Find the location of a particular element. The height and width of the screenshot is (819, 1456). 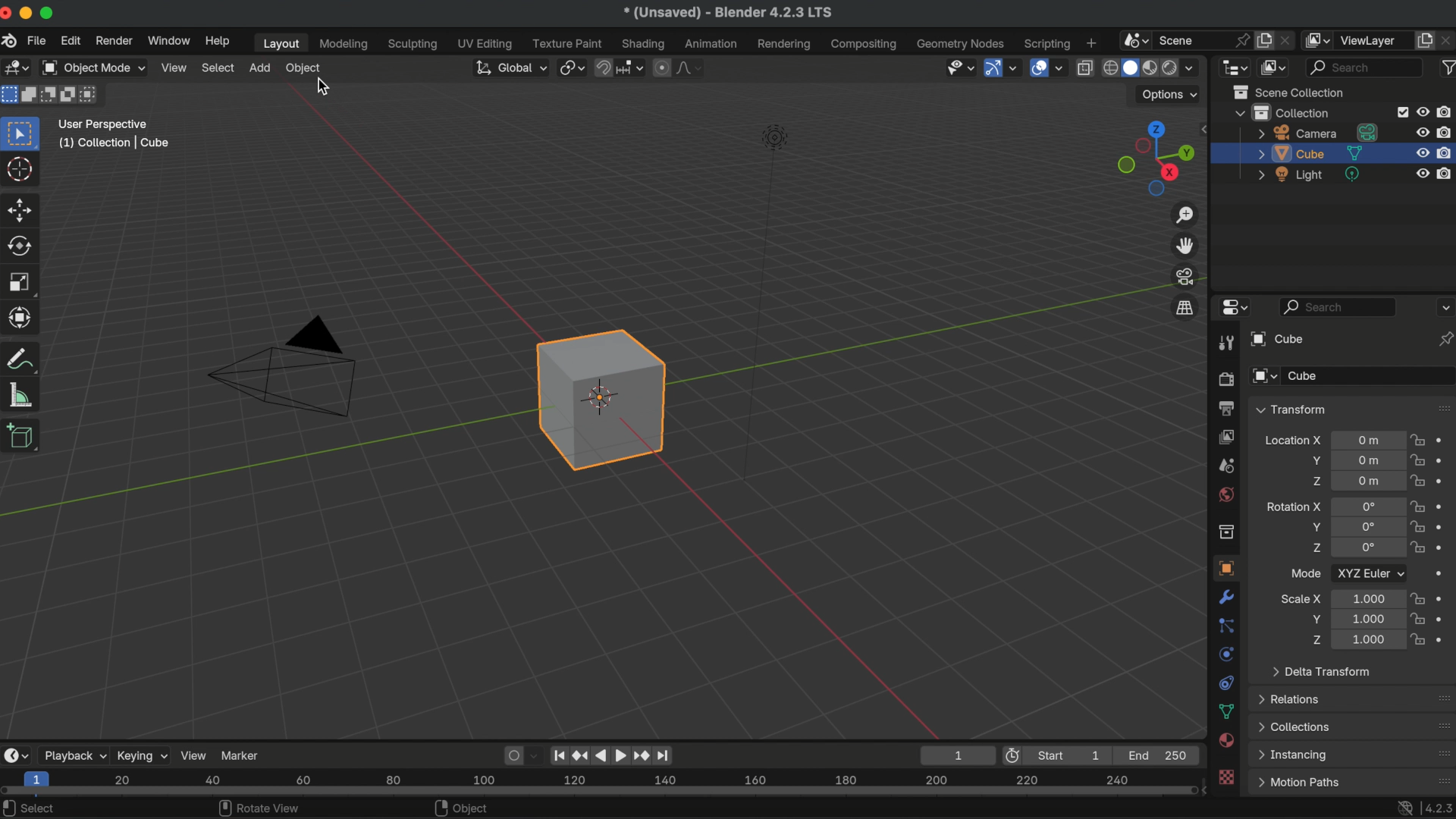

lock rotation is located at coordinates (1420, 549).